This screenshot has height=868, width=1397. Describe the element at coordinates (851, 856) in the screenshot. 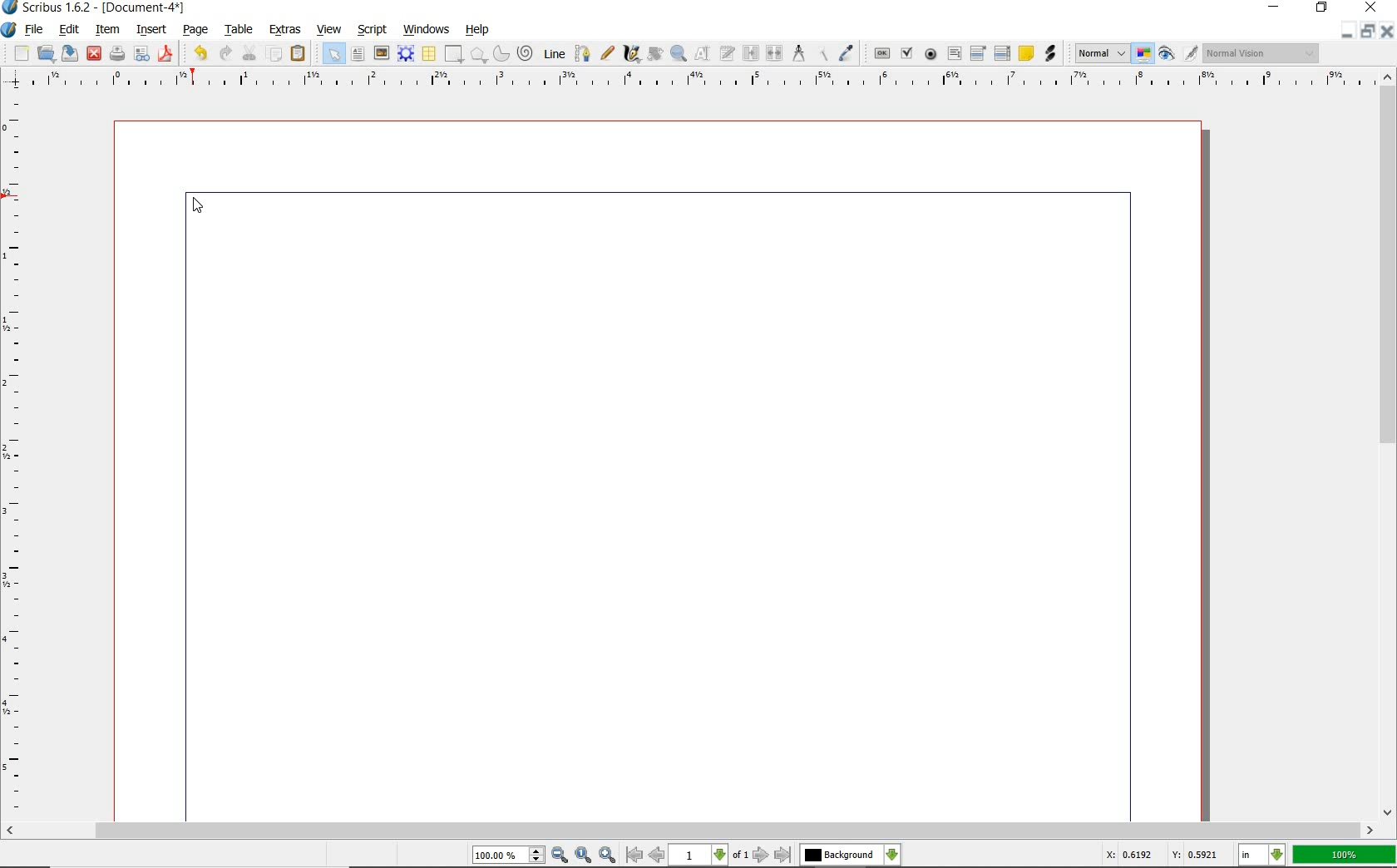

I see `Background` at that location.